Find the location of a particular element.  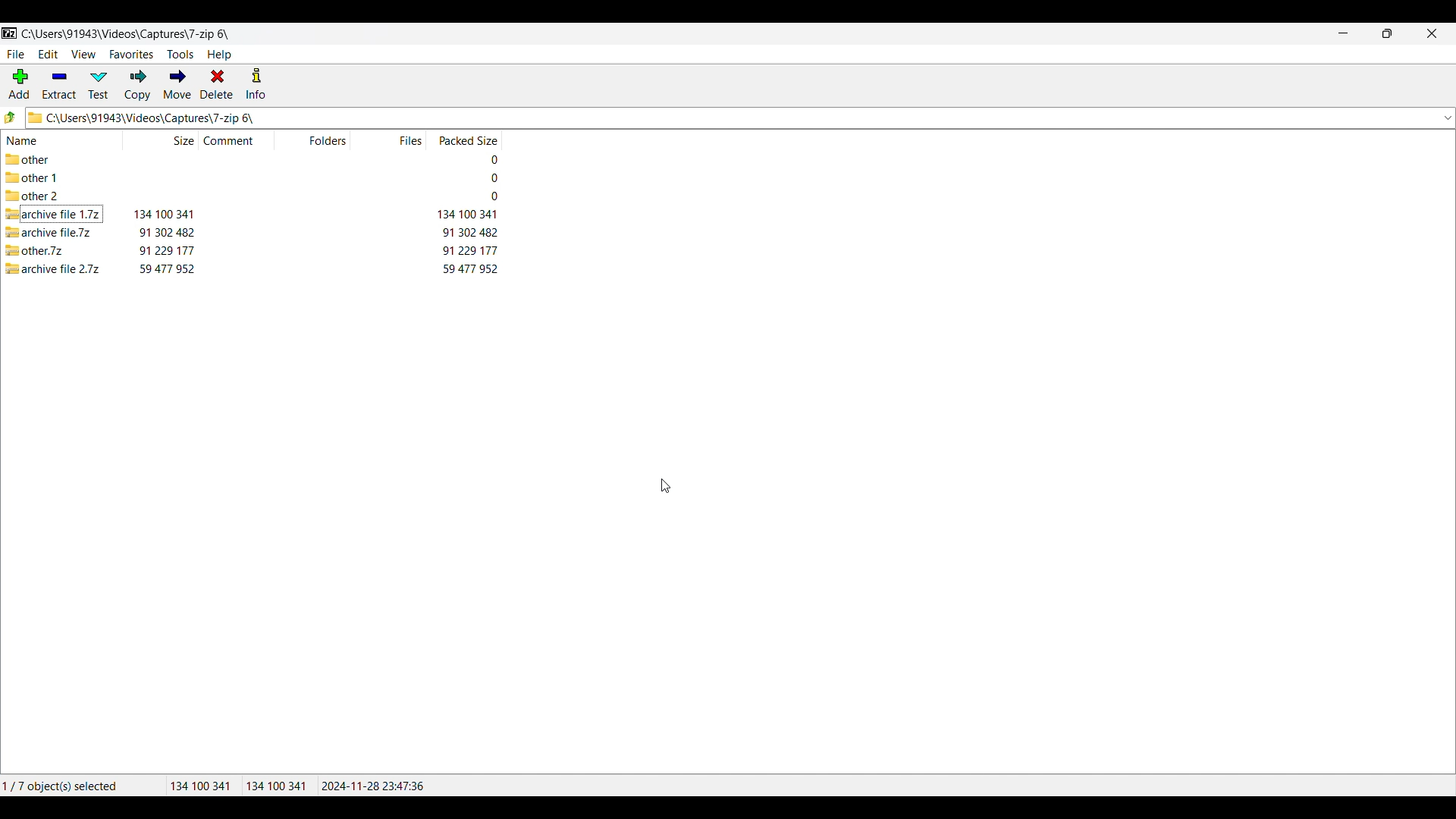

Help menu is located at coordinates (219, 55).